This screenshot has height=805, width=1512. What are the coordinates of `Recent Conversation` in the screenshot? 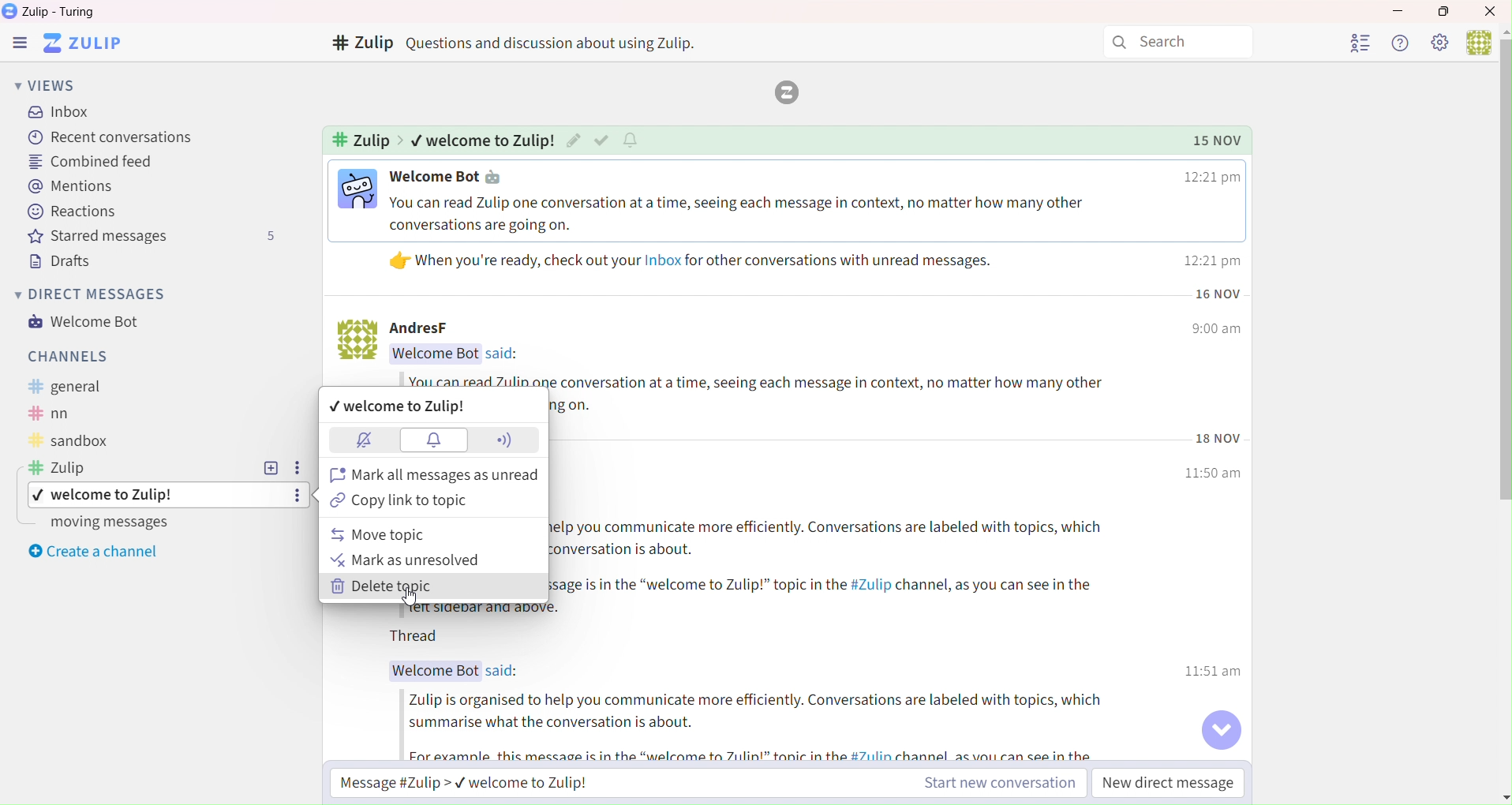 It's located at (105, 137).